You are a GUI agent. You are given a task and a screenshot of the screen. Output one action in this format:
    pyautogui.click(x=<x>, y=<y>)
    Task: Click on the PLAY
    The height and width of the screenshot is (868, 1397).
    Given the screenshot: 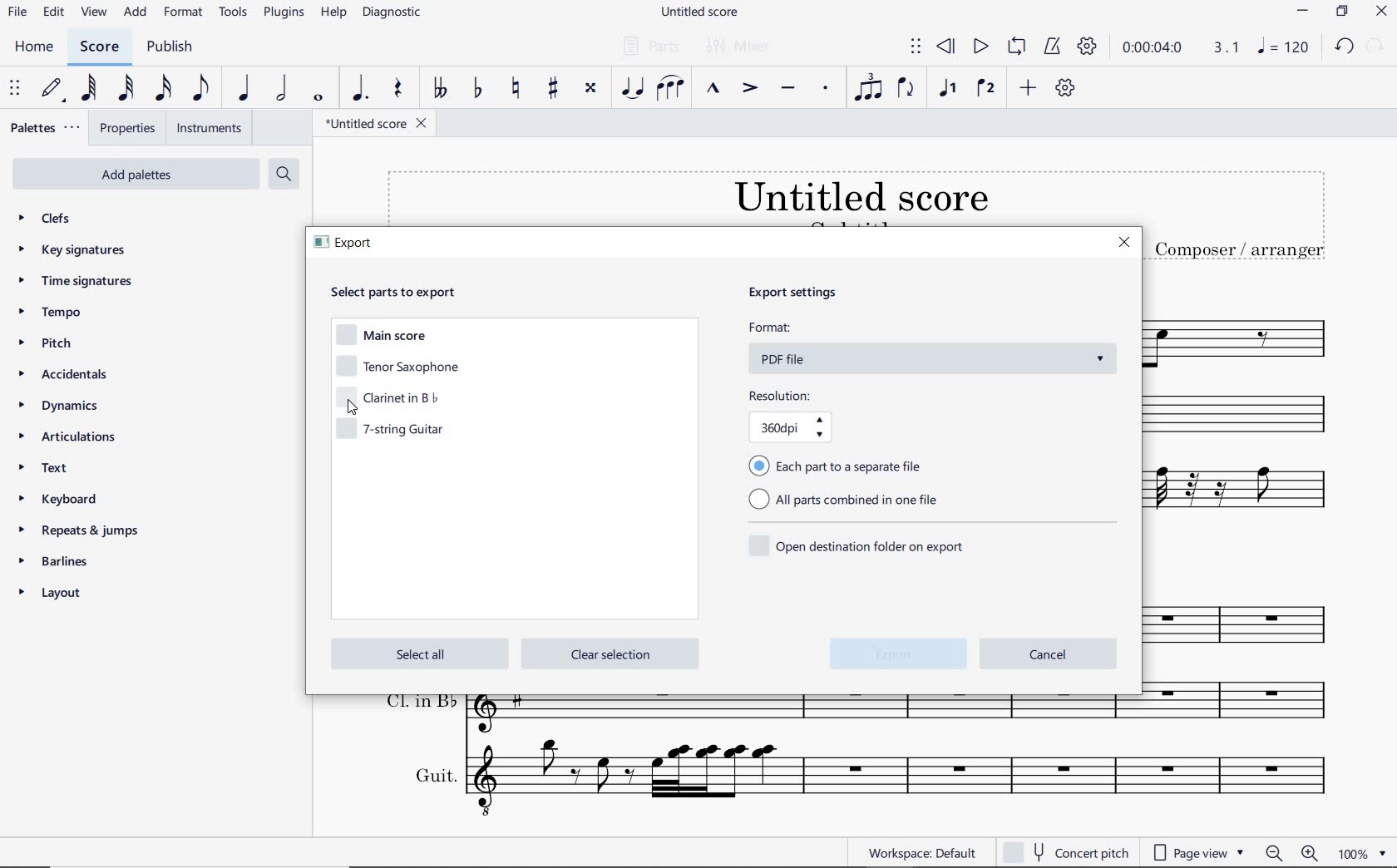 What is the action you would take?
    pyautogui.click(x=979, y=46)
    